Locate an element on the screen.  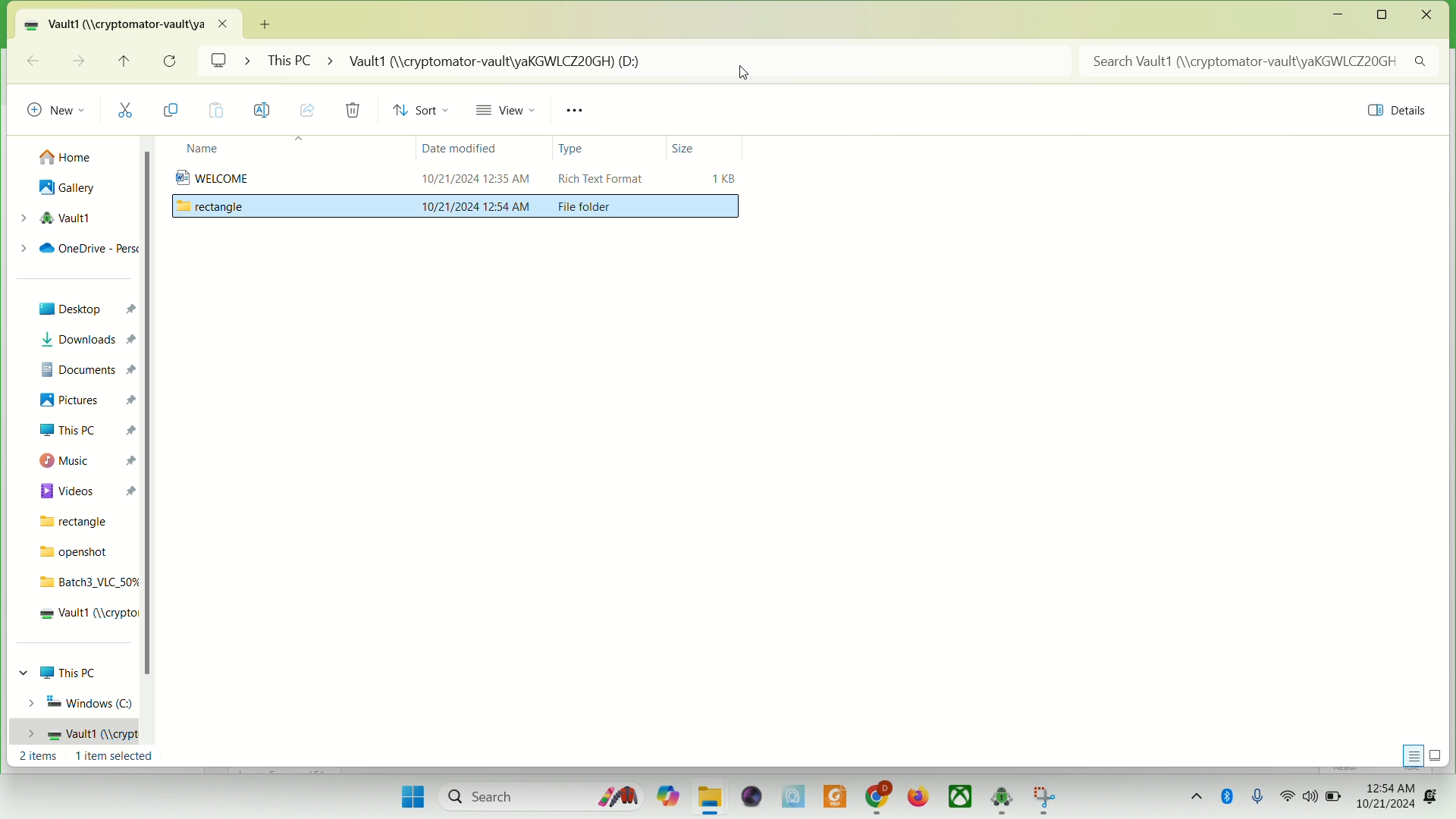
rectangle is located at coordinates (76, 521).